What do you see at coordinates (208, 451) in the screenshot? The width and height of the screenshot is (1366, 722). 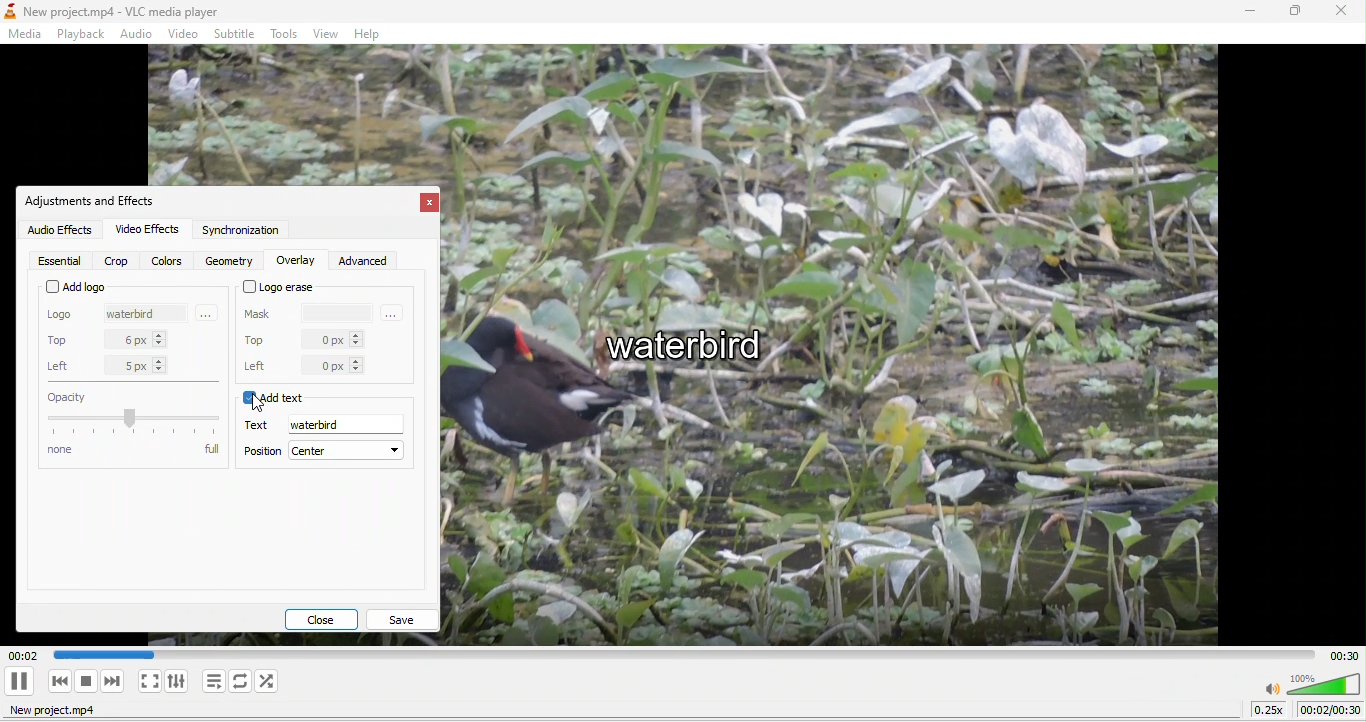 I see `full` at bounding box center [208, 451].